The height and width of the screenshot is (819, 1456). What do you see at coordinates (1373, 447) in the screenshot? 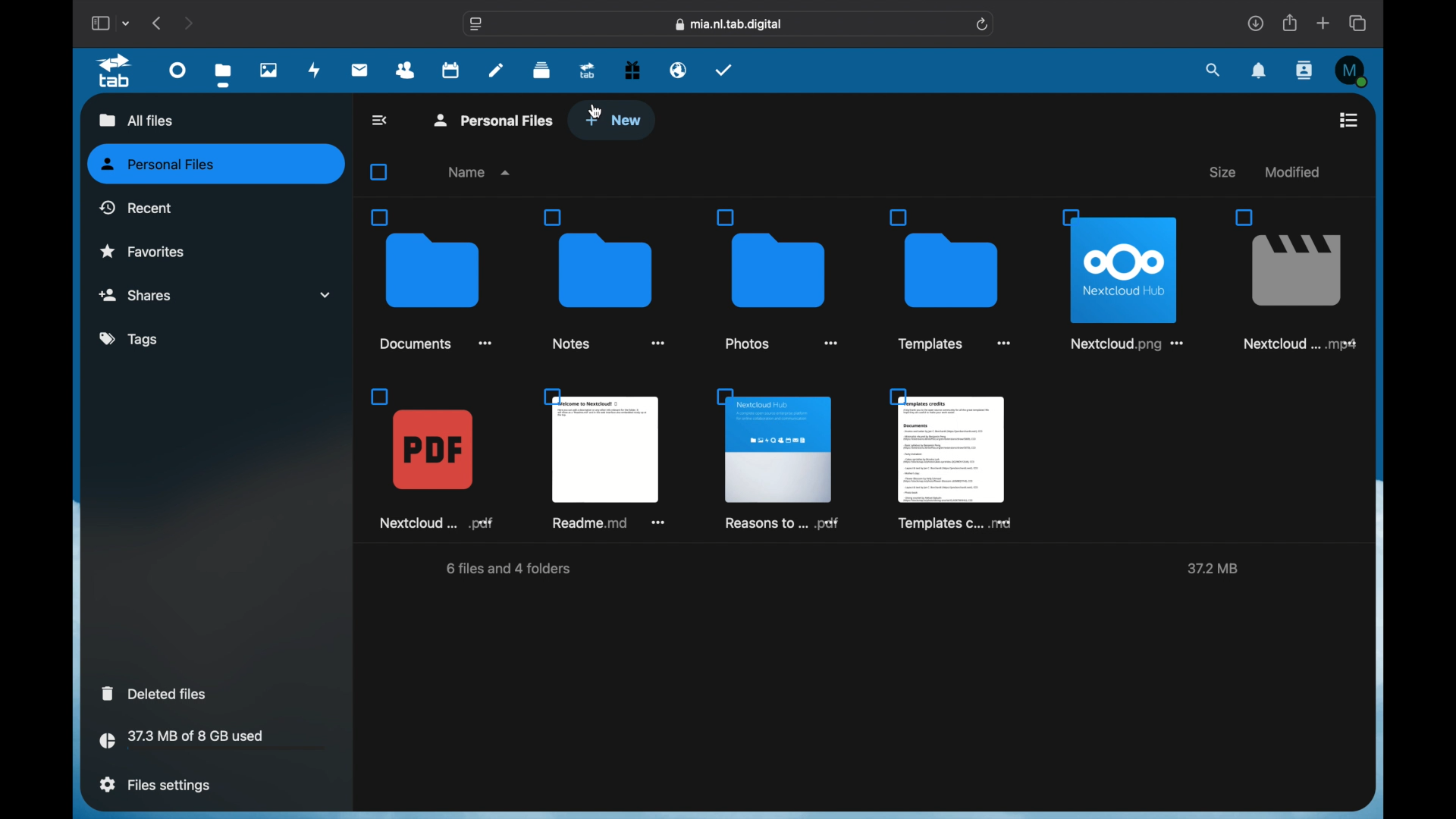
I see `scroll box` at bounding box center [1373, 447].